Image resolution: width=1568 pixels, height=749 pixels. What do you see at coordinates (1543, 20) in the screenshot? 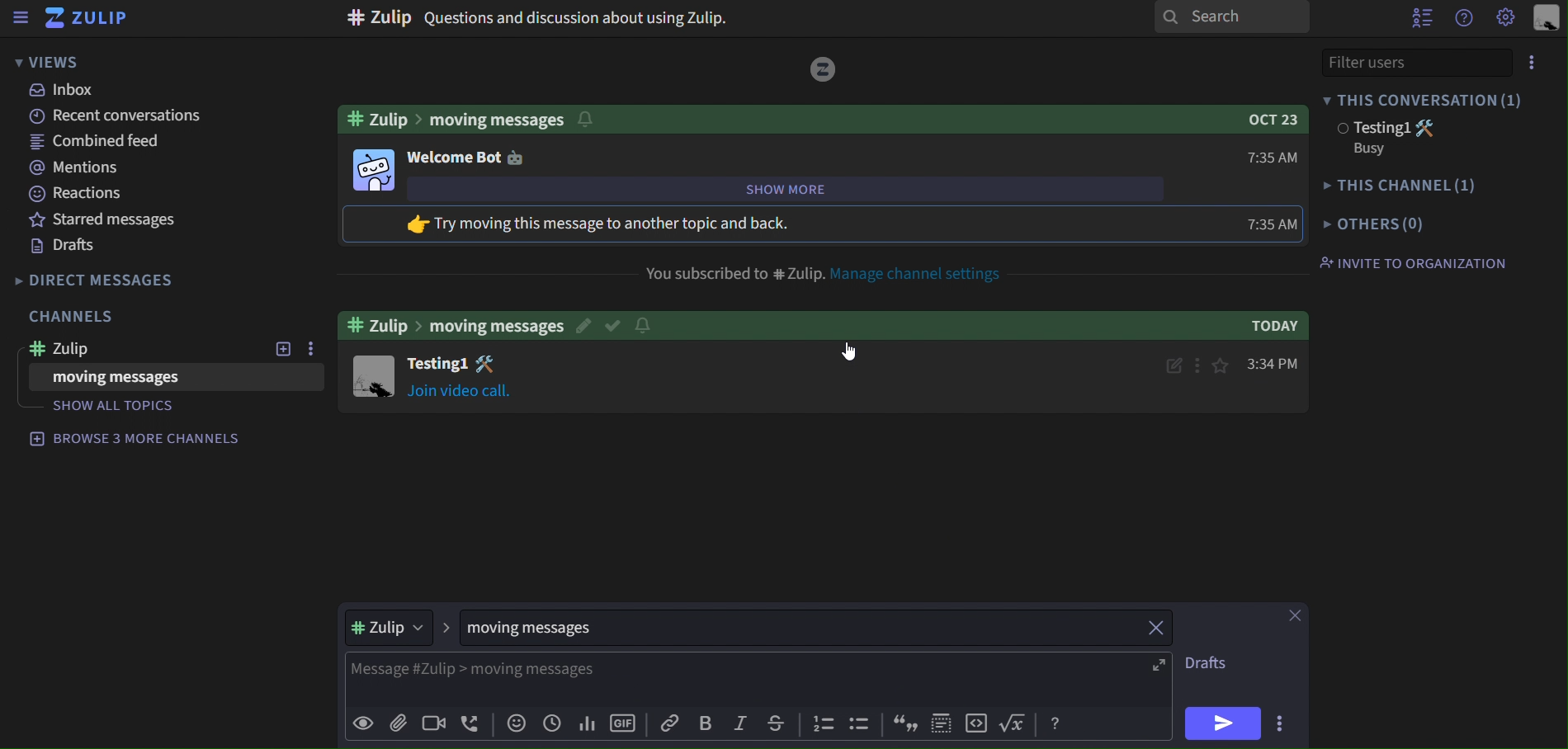
I see `personal menu` at bounding box center [1543, 20].